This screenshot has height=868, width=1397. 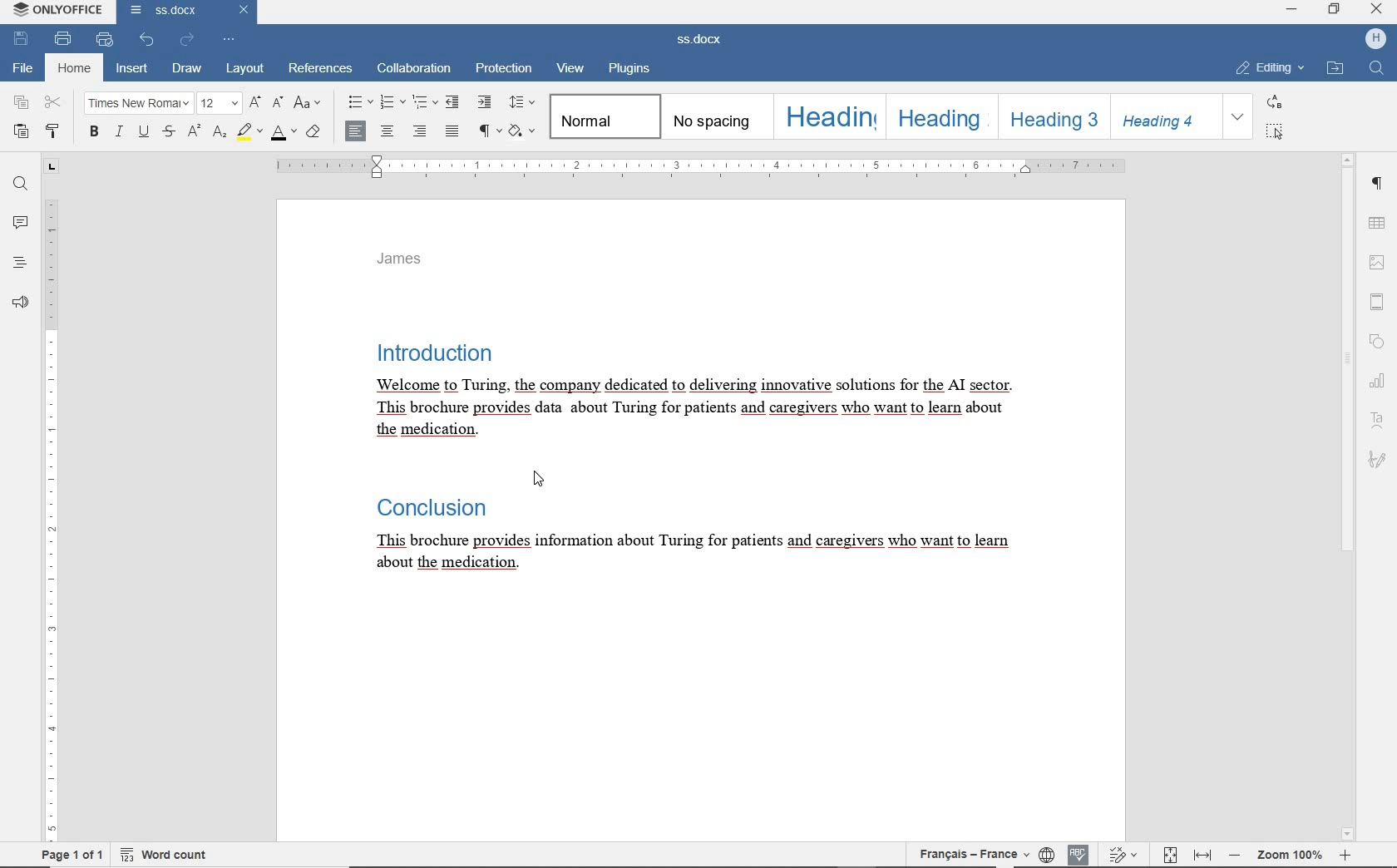 What do you see at coordinates (940, 116) in the screenshot?
I see `HEADING 2` at bounding box center [940, 116].